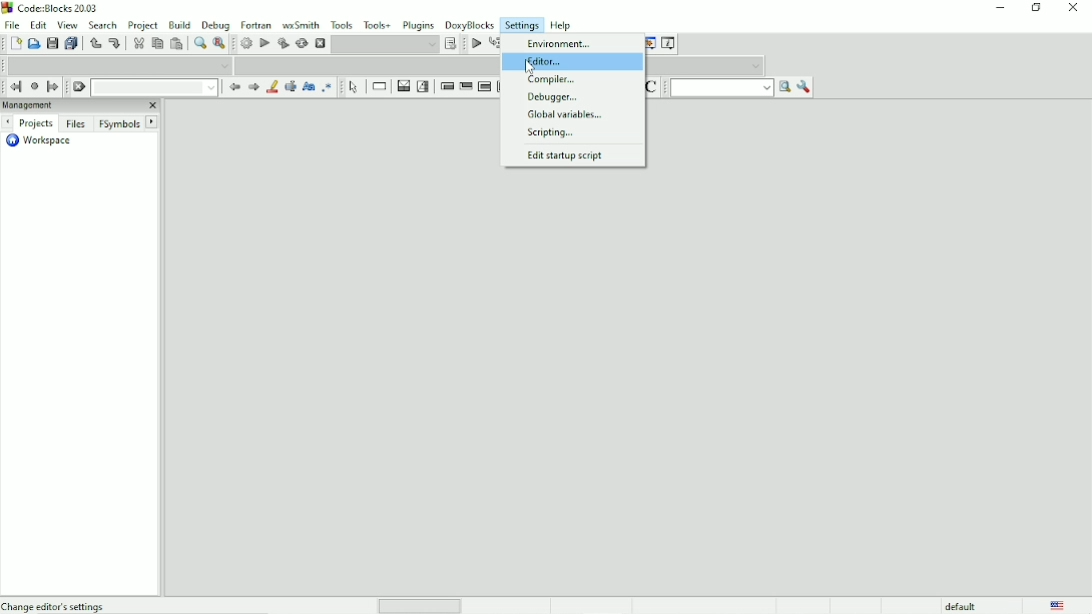  What do you see at coordinates (51, 43) in the screenshot?
I see `Save` at bounding box center [51, 43].